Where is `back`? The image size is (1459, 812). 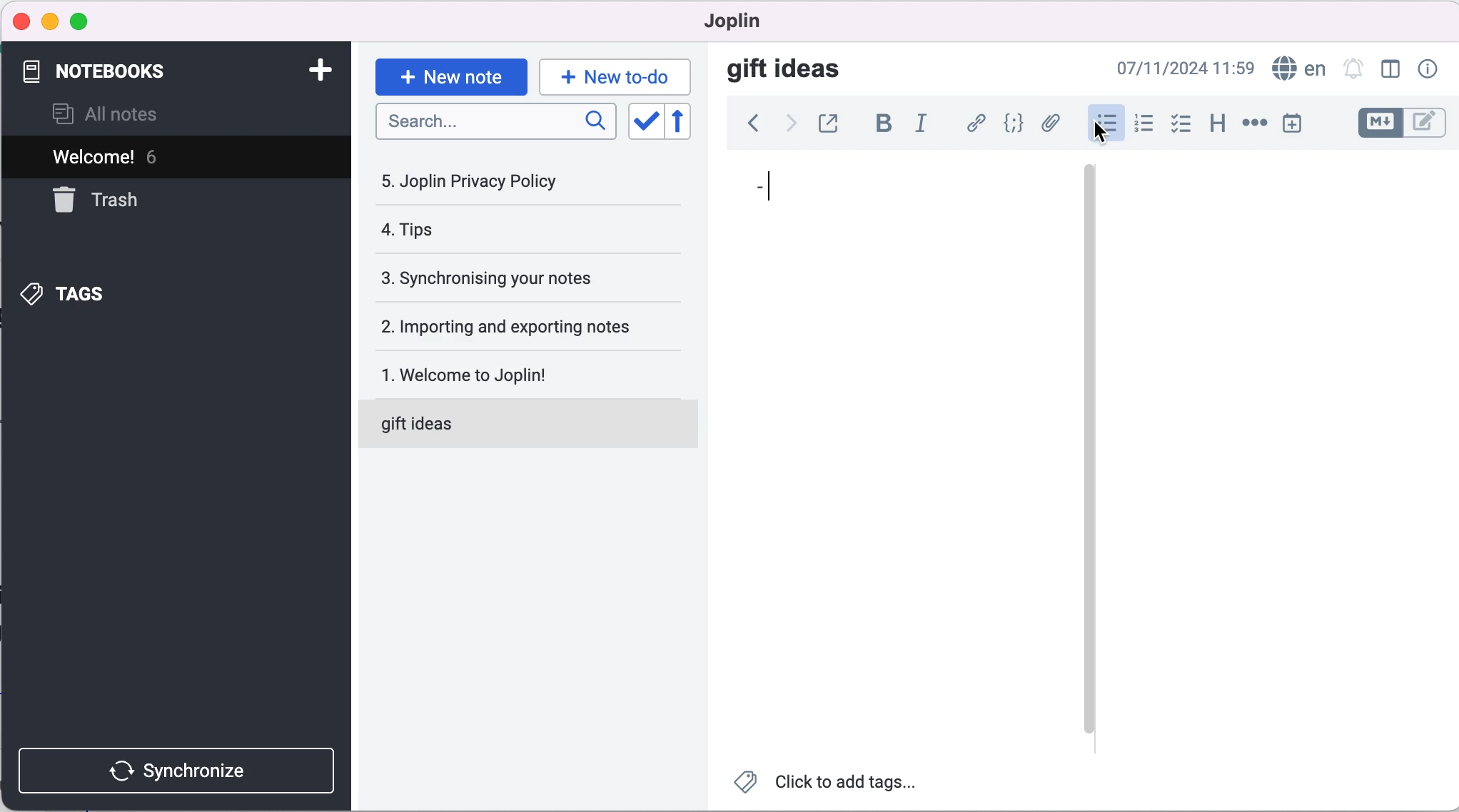
back is located at coordinates (749, 126).